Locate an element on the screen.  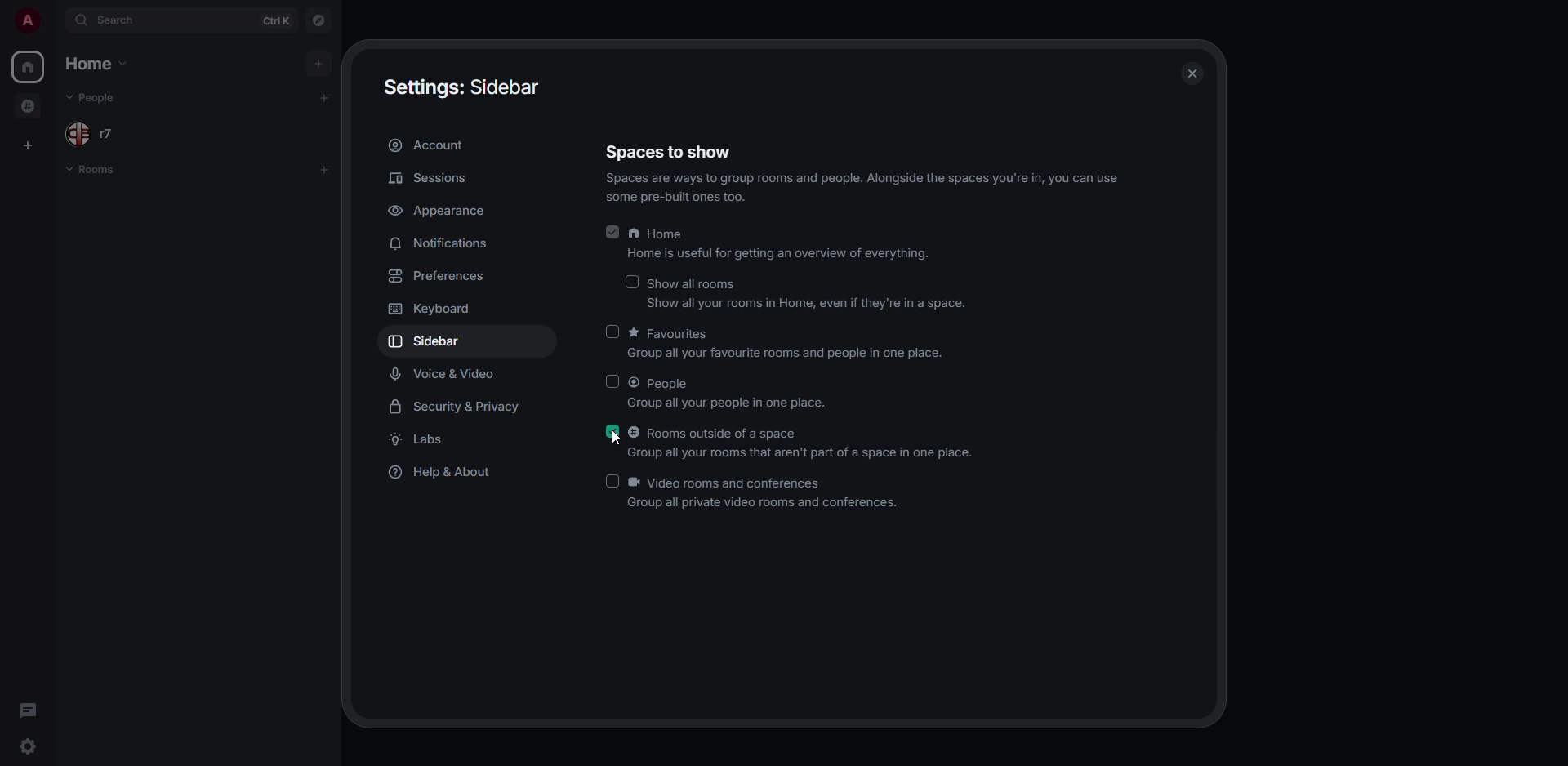
create space is located at coordinates (27, 144).